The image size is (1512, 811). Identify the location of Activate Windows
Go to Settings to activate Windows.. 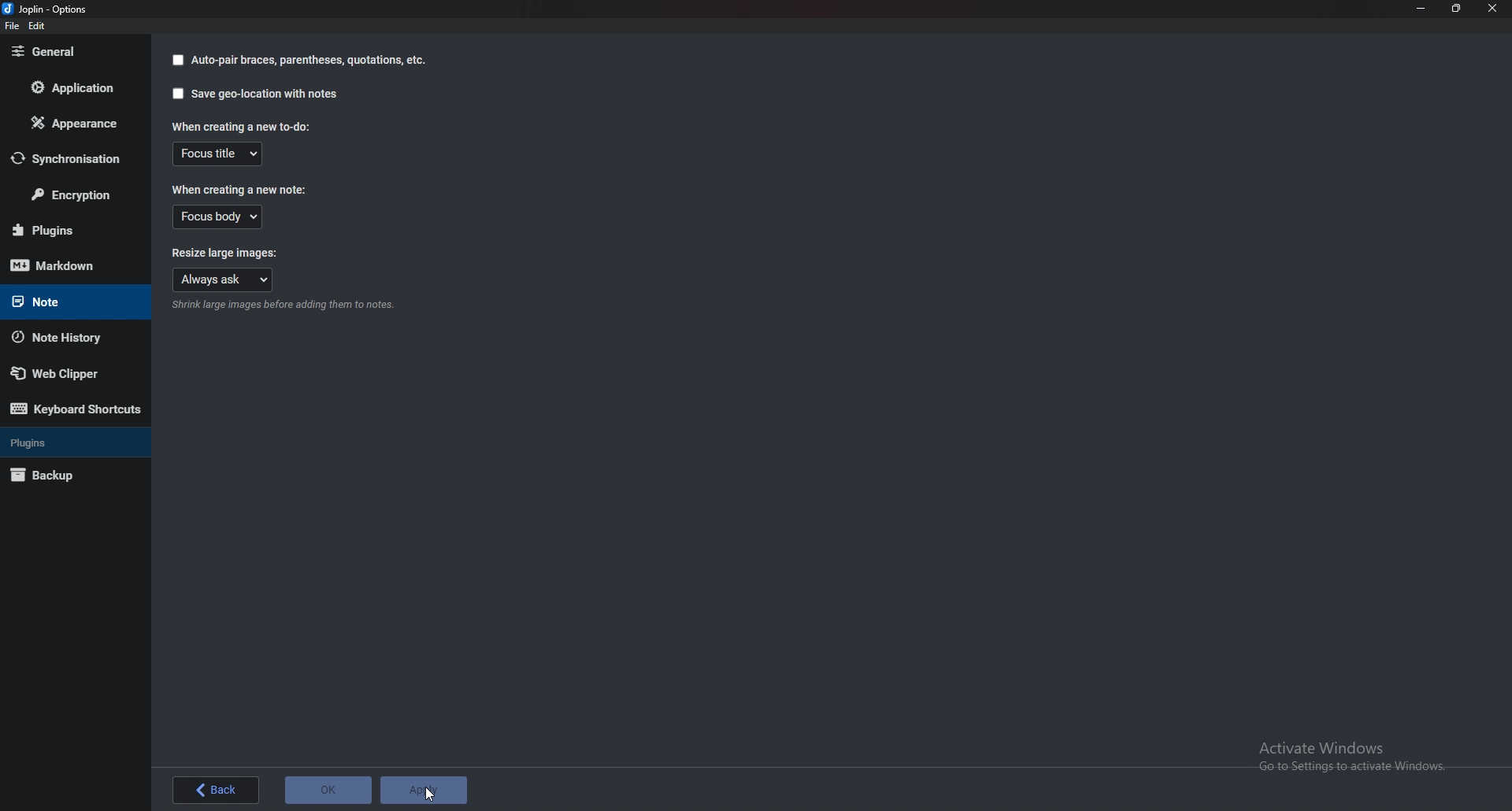
(1358, 759).